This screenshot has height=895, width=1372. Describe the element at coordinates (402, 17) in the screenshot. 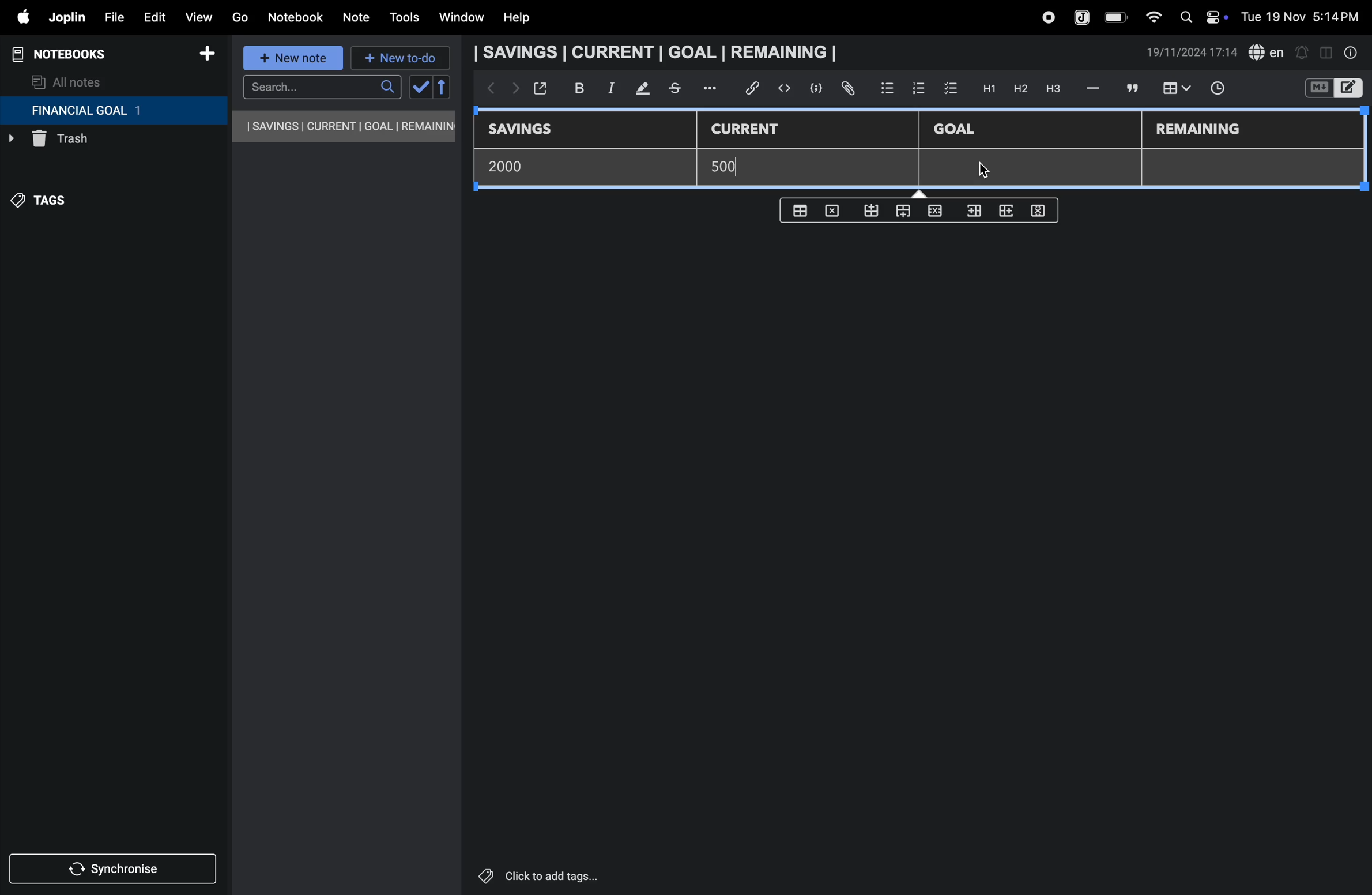

I see `tools` at that location.